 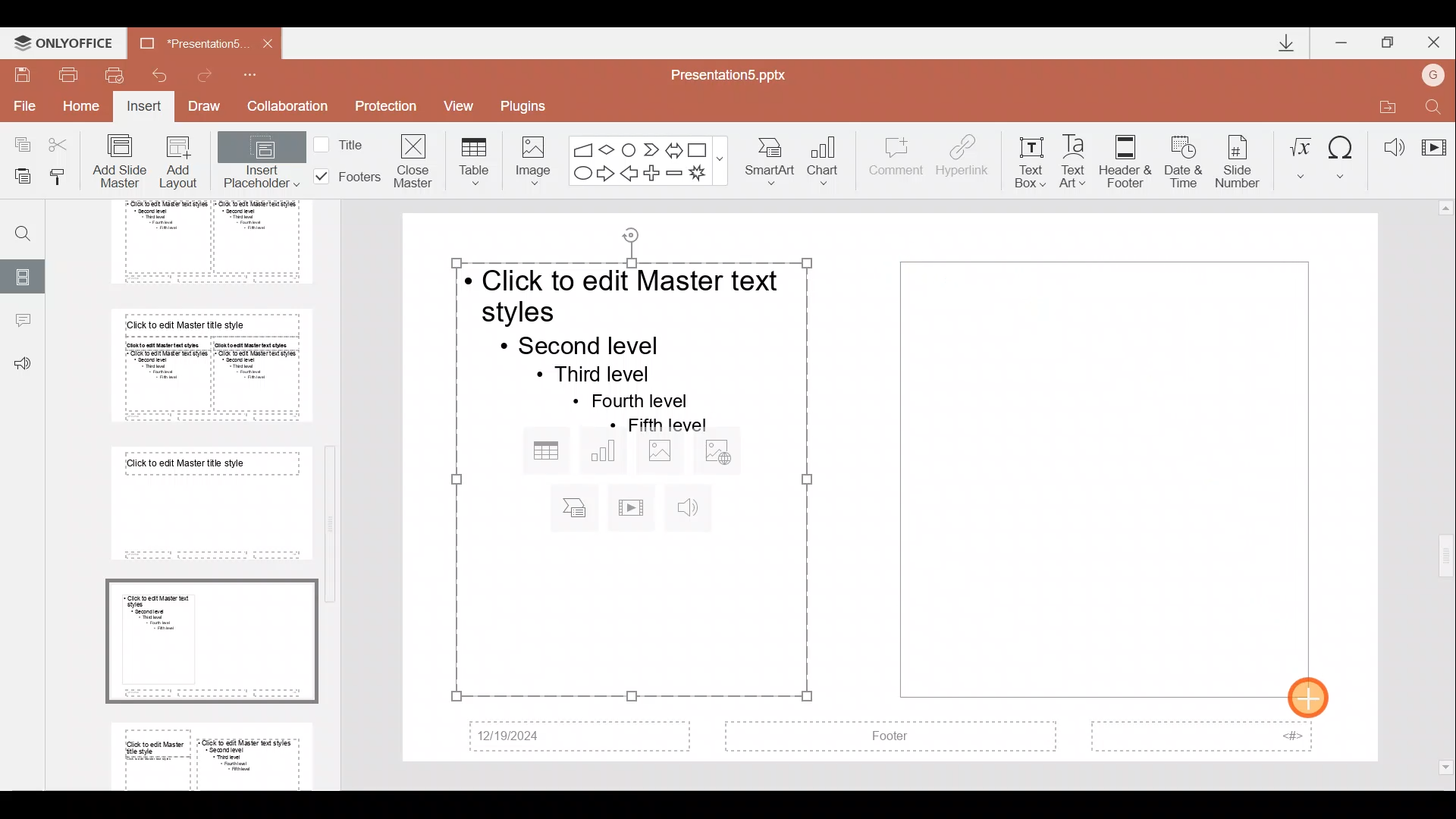 I want to click on Plugins, so click(x=529, y=104).